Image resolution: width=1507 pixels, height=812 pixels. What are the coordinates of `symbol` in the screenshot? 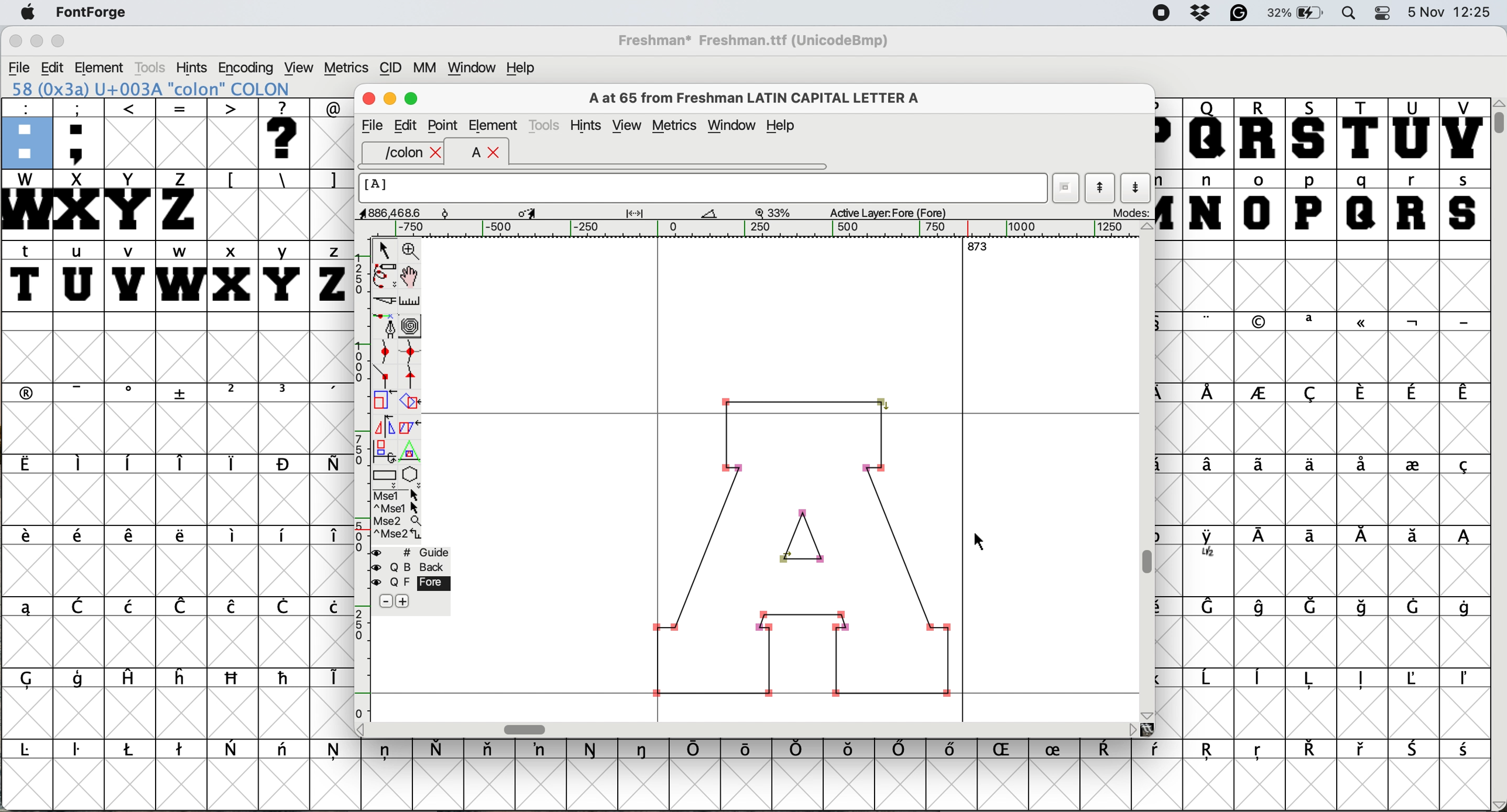 It's located at (27, 465).